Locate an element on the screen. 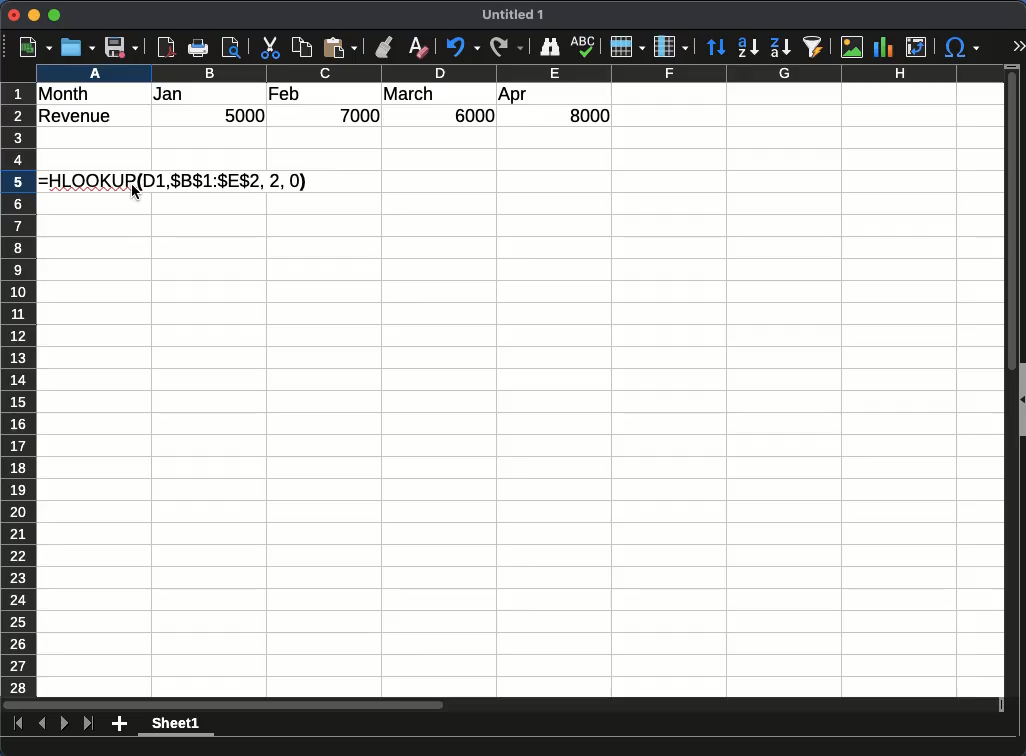 The width and height of the screenshot is (1026, 756). pivot table is located at coordinates (916, 47).